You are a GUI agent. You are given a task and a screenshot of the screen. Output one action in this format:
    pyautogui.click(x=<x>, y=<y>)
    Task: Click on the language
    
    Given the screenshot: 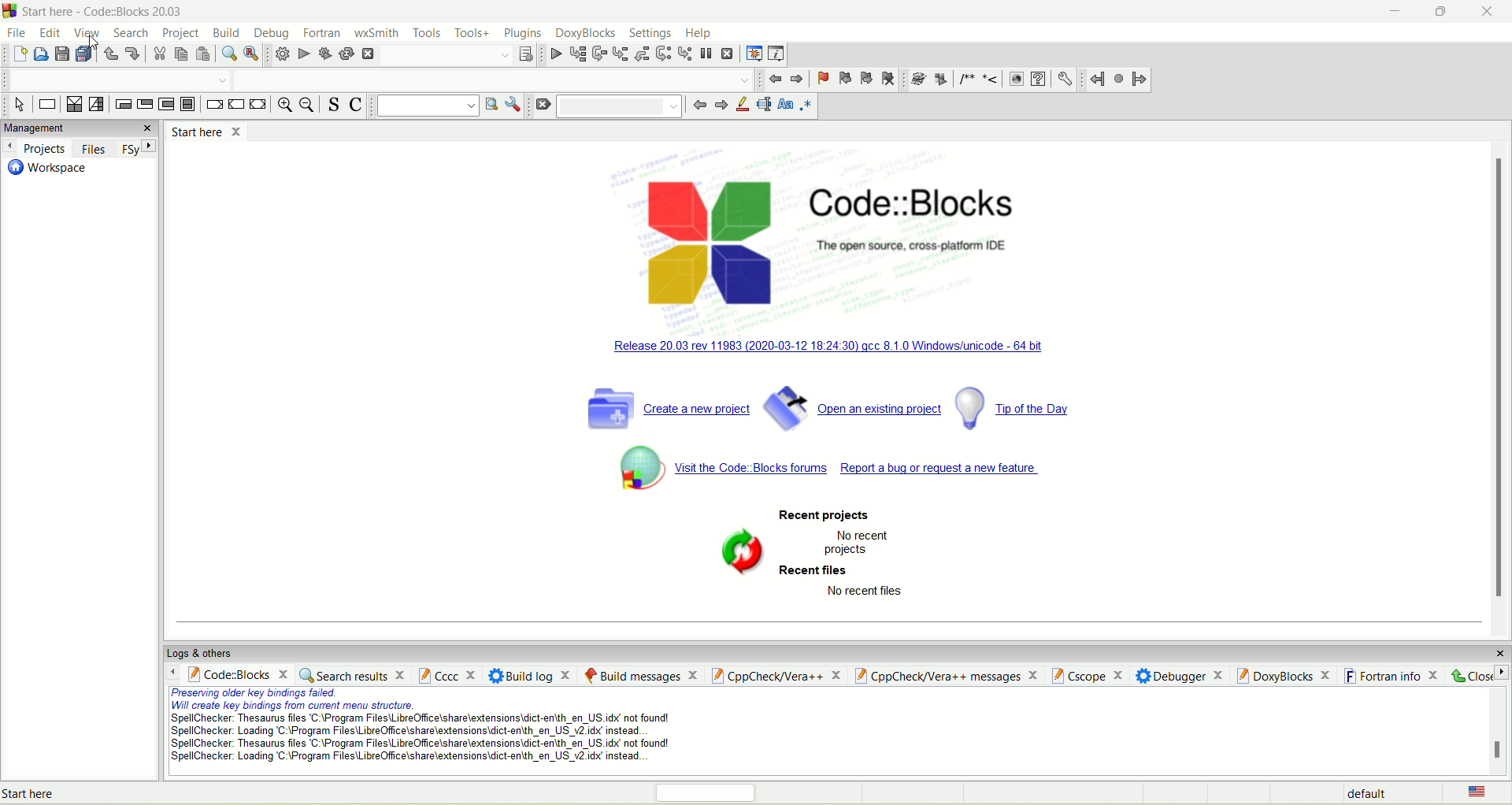 What is the action you would take?
    pyautogui.click(x=1475, y=792)
    